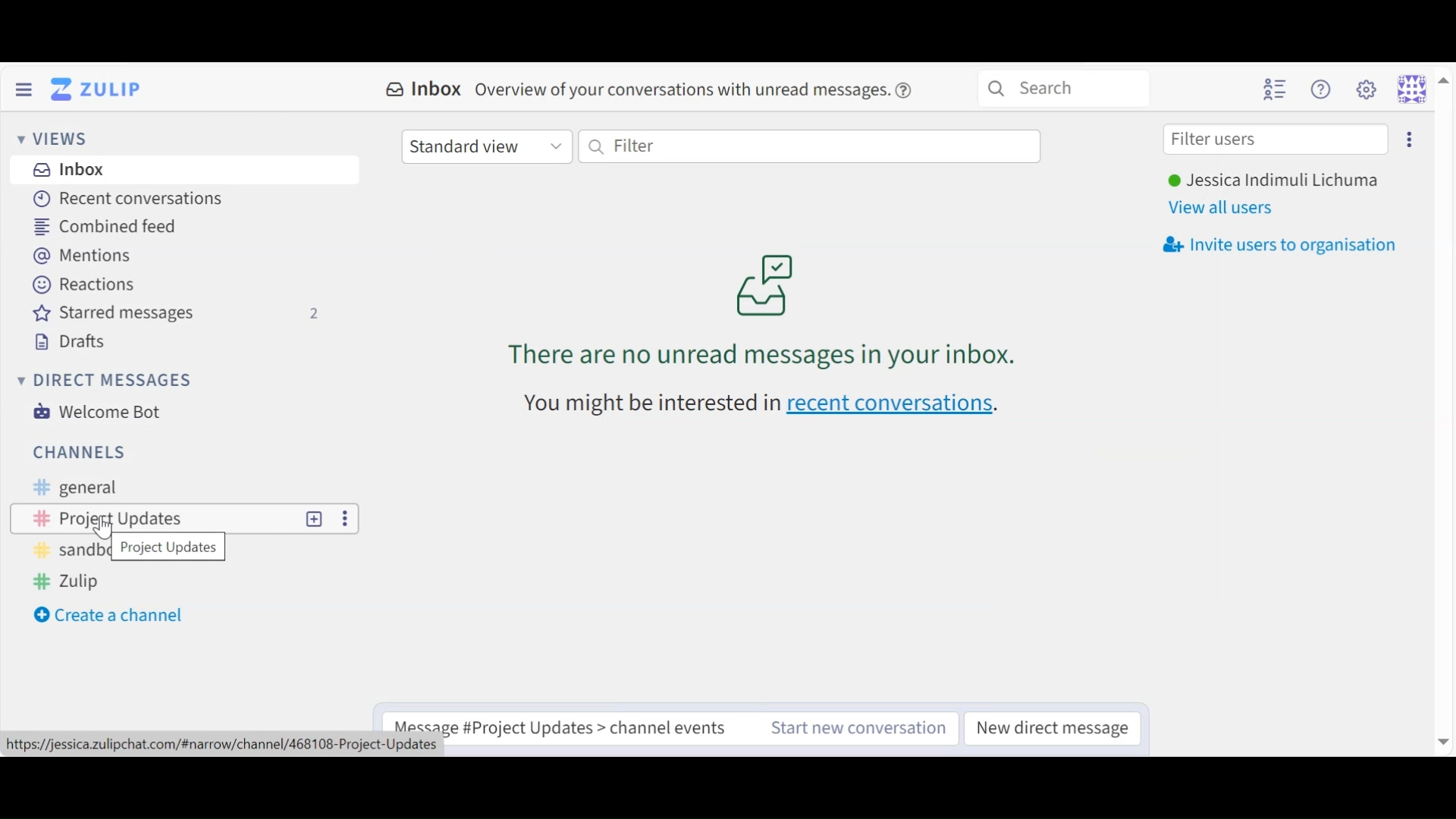 The image size is (1456, 819). I want to click on channel url, so click(224, 746).